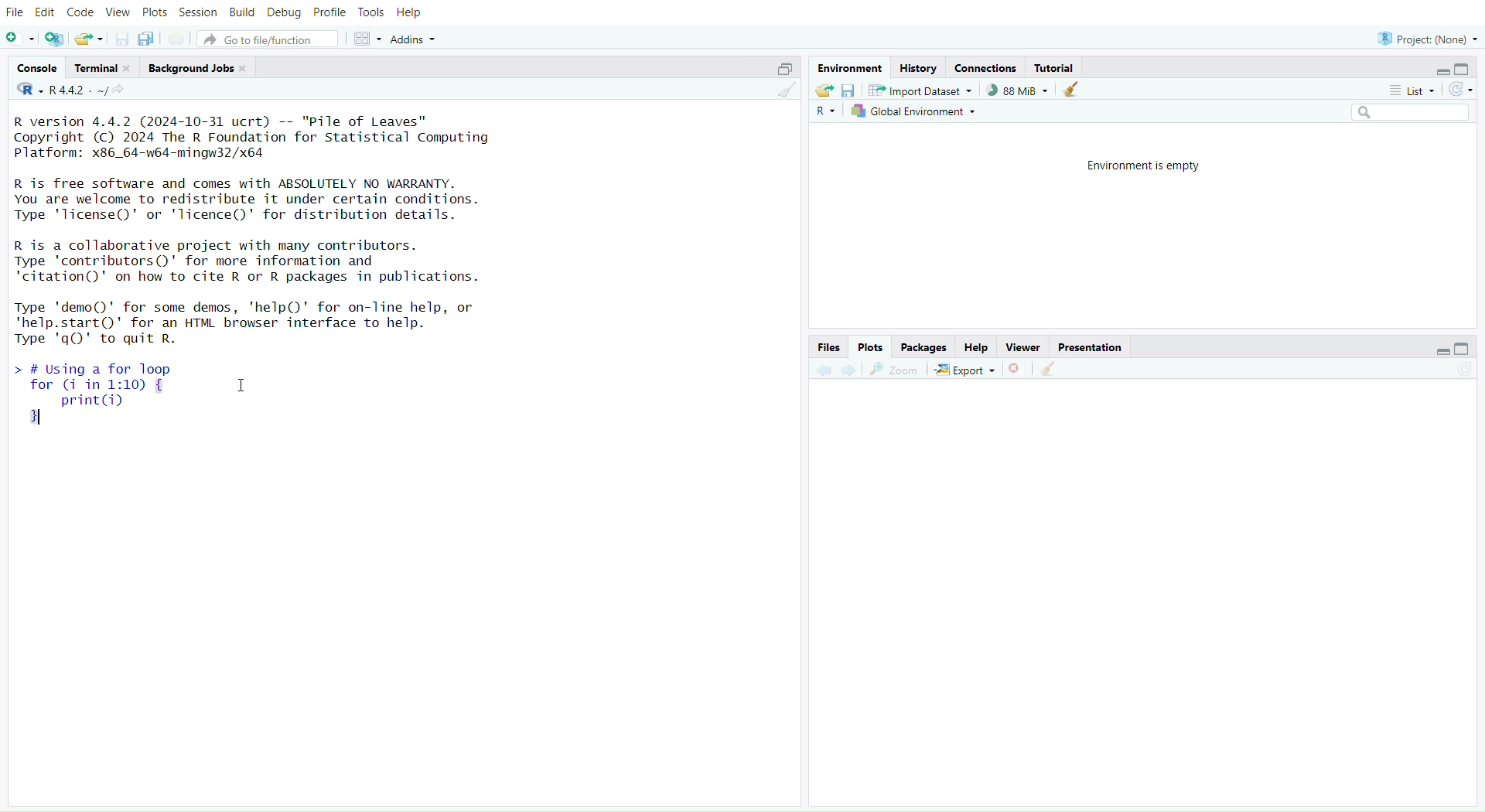 The width and height of the screenshot is (1485, 812). What do you see at coordinates (45, 13) in the screenshot?
I see `edit` at bounding box center [45, 13].